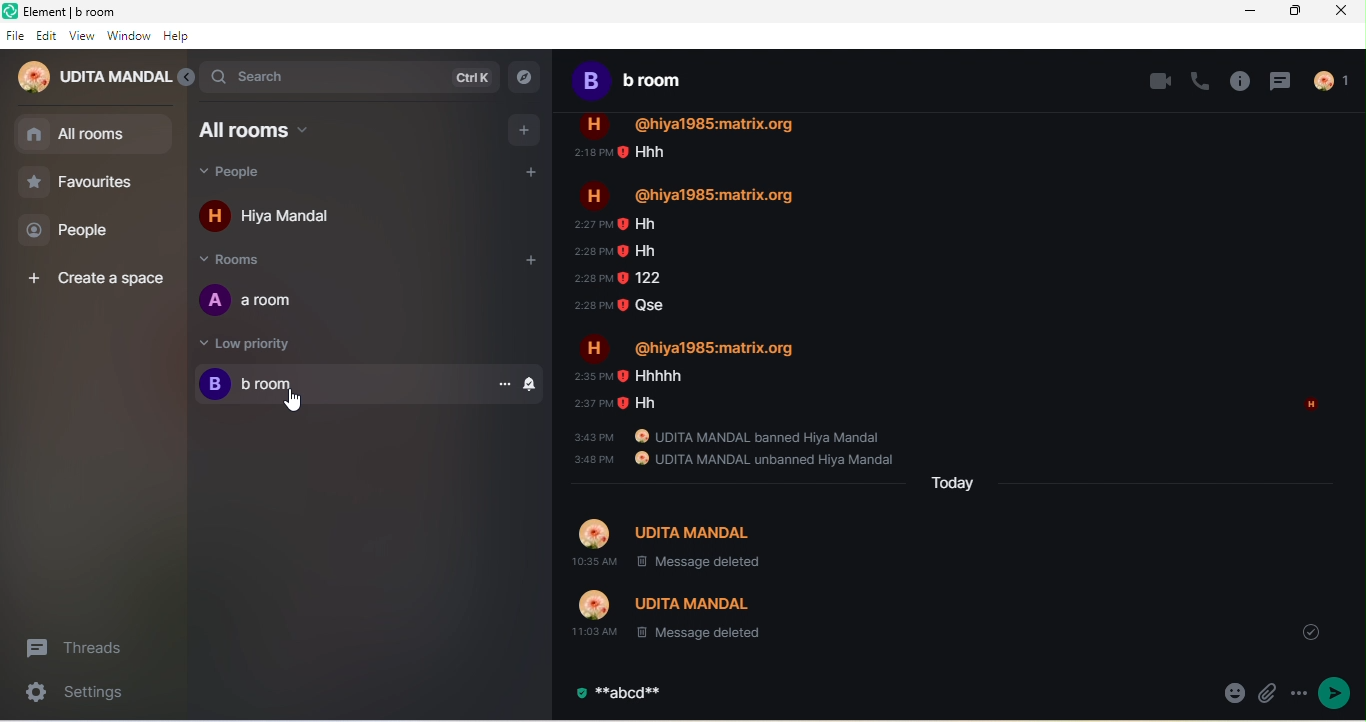 Image resolution: width=1366 pixels, height=722 pixels. I want to click on room info, so click(1240, 81).